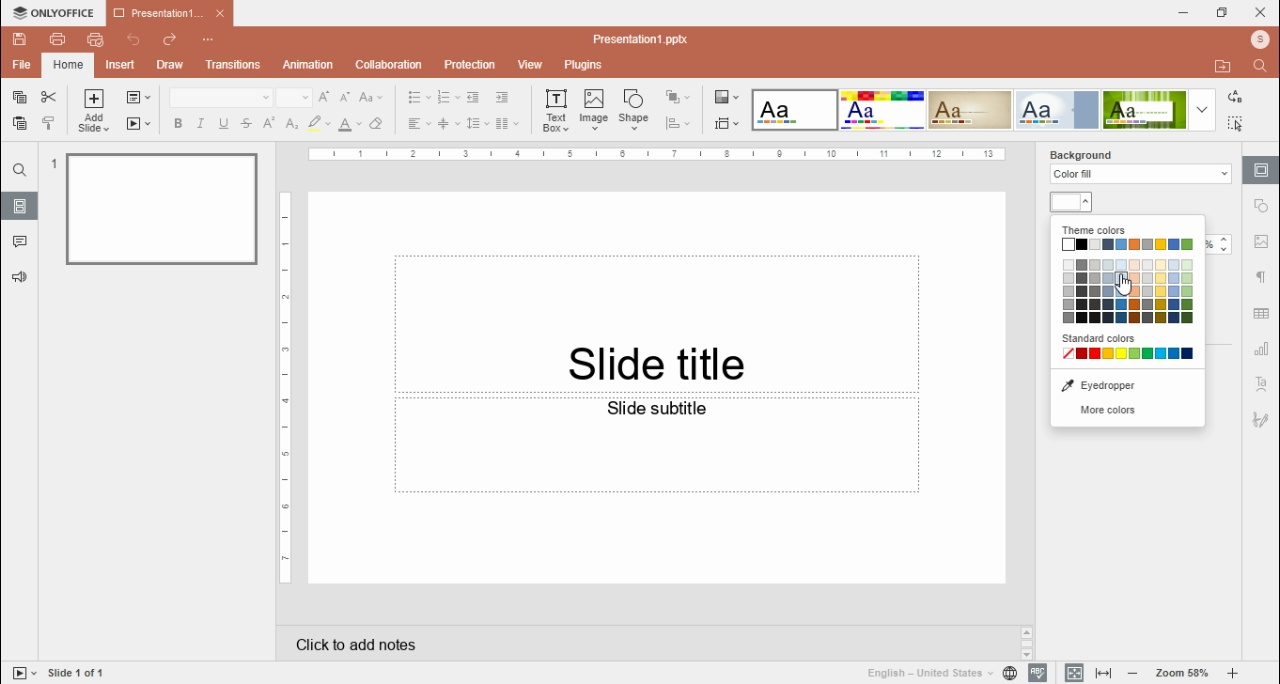 The height and width of the screenshot is (684, 1280). Describe the element at coordinates (350, 124) in the screenshot. I see `font color` at that location.